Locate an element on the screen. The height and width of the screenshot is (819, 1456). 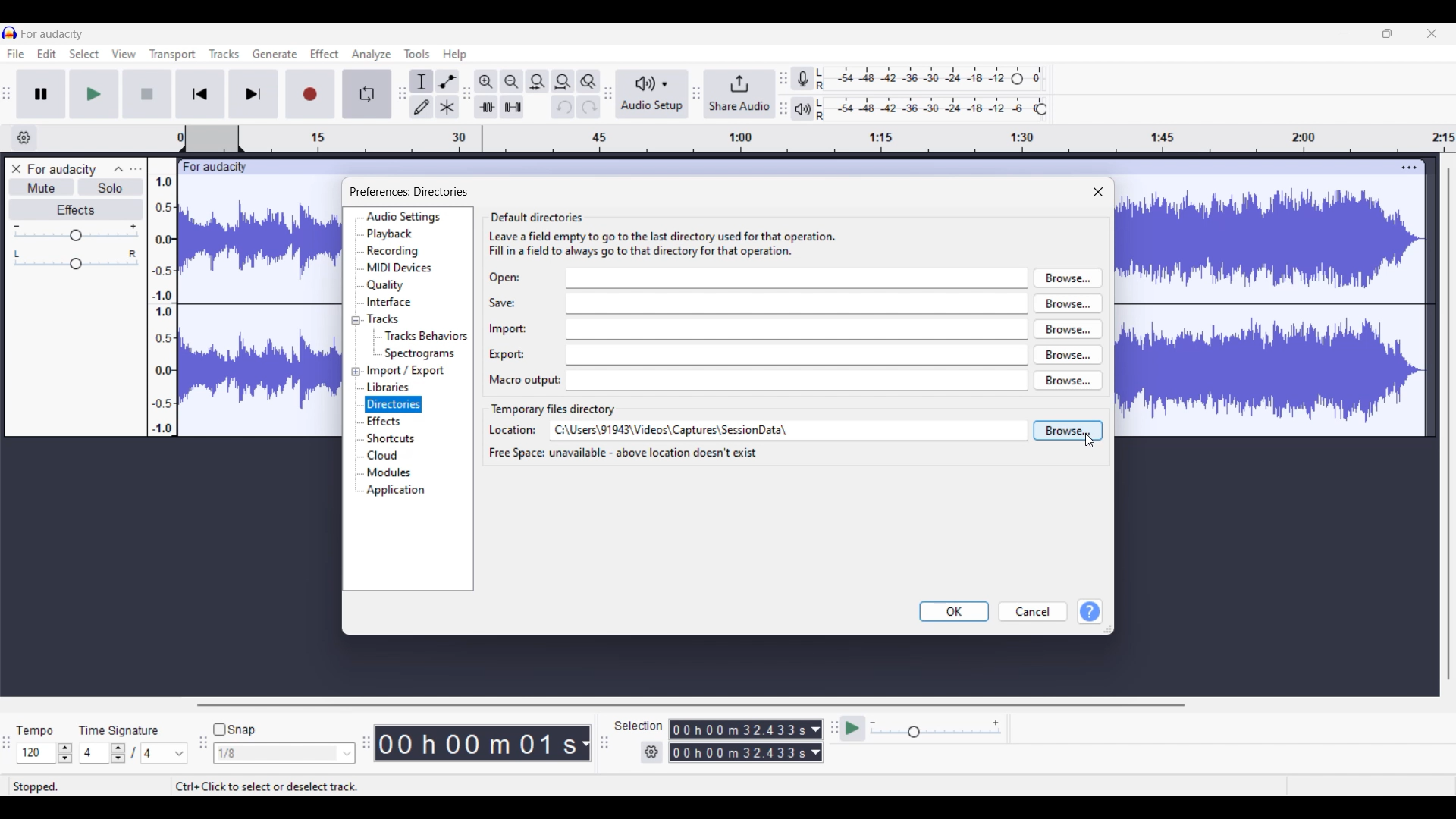
Record meter is located at coordinates (802, 78).